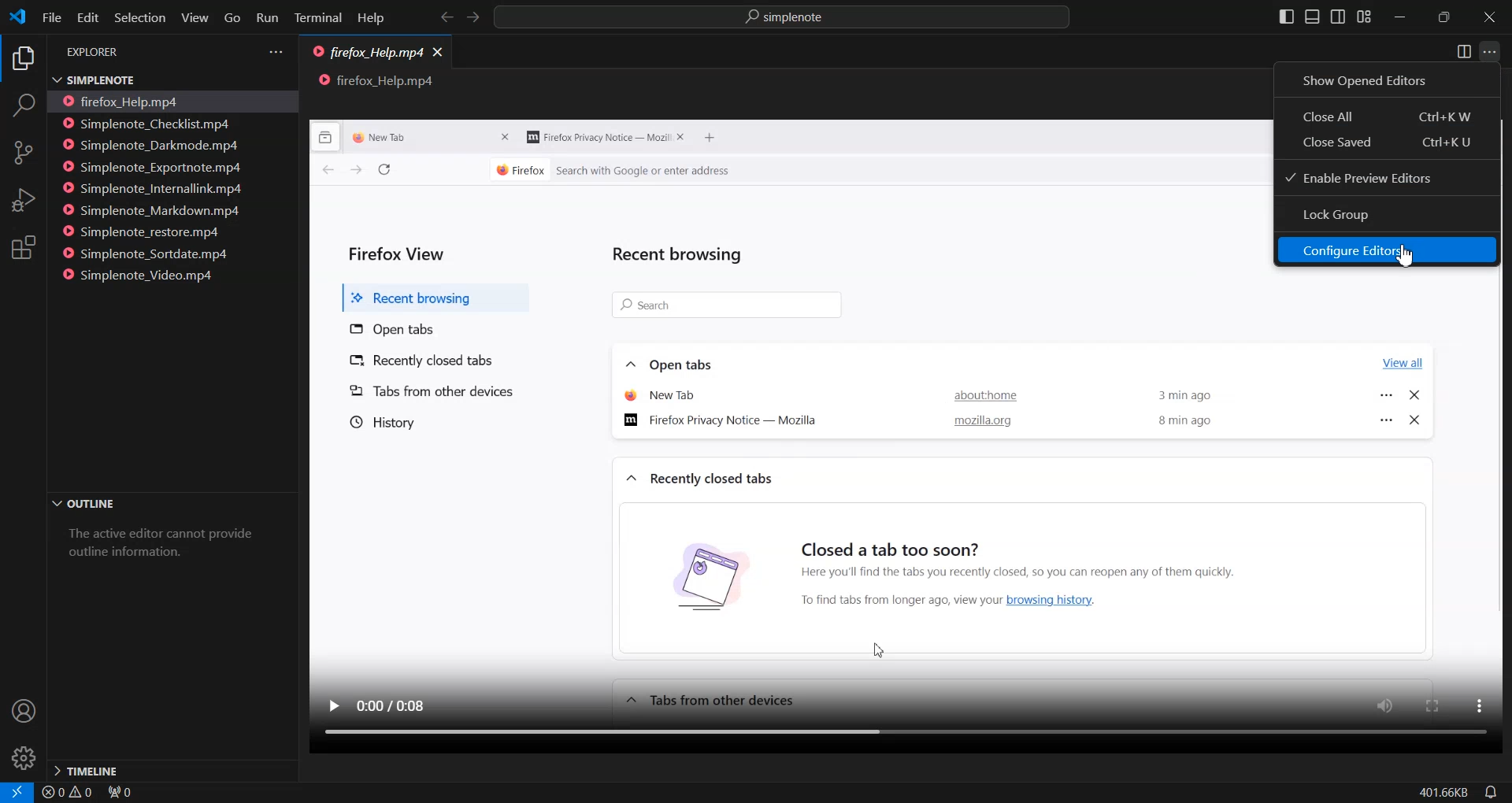 This screenshot has width=1512, height=803. What do you see at coordinates (66, 793) in the screenshot?
I see `No Problem` at bounding box center [66, 793].